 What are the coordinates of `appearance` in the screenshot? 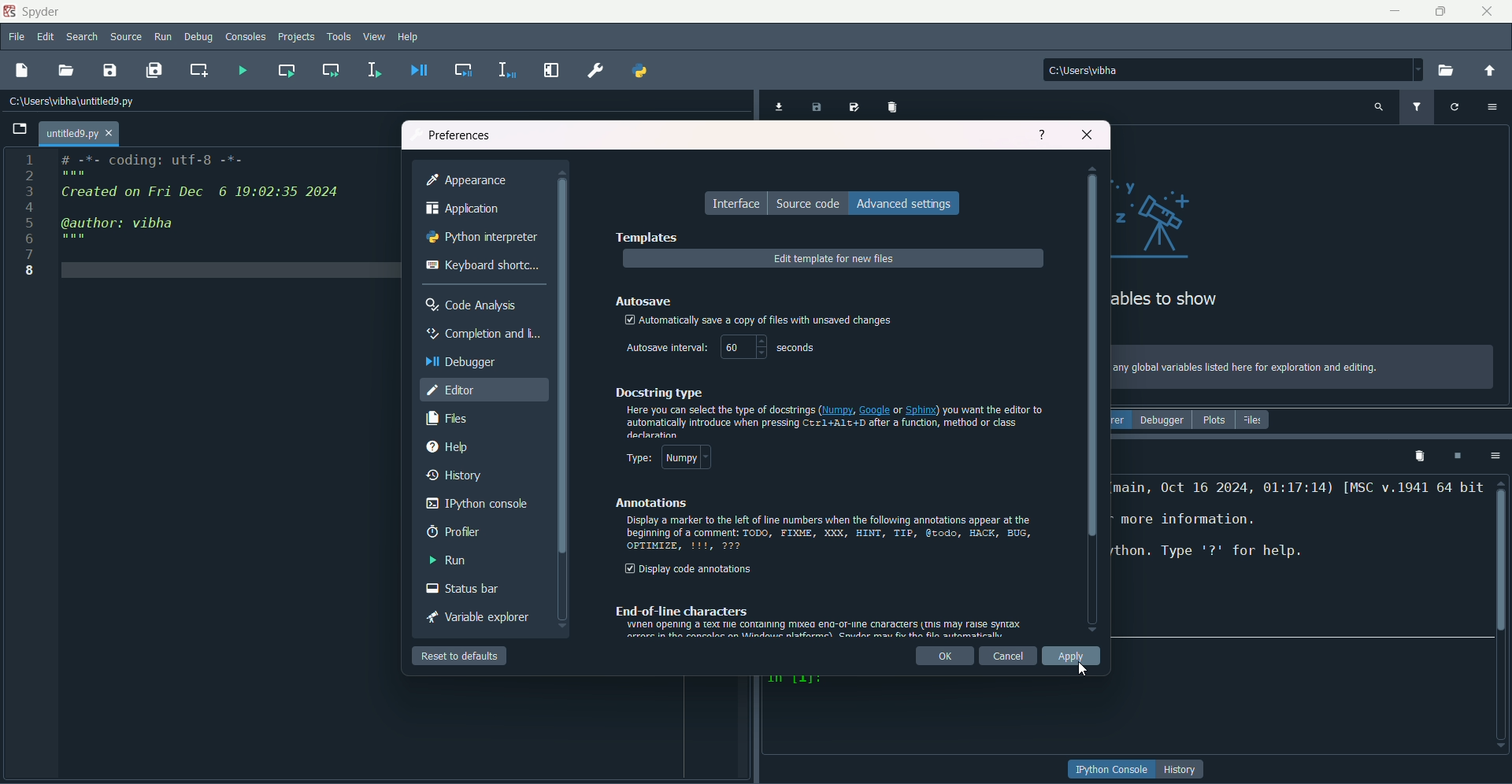 It's located at (469, 179).